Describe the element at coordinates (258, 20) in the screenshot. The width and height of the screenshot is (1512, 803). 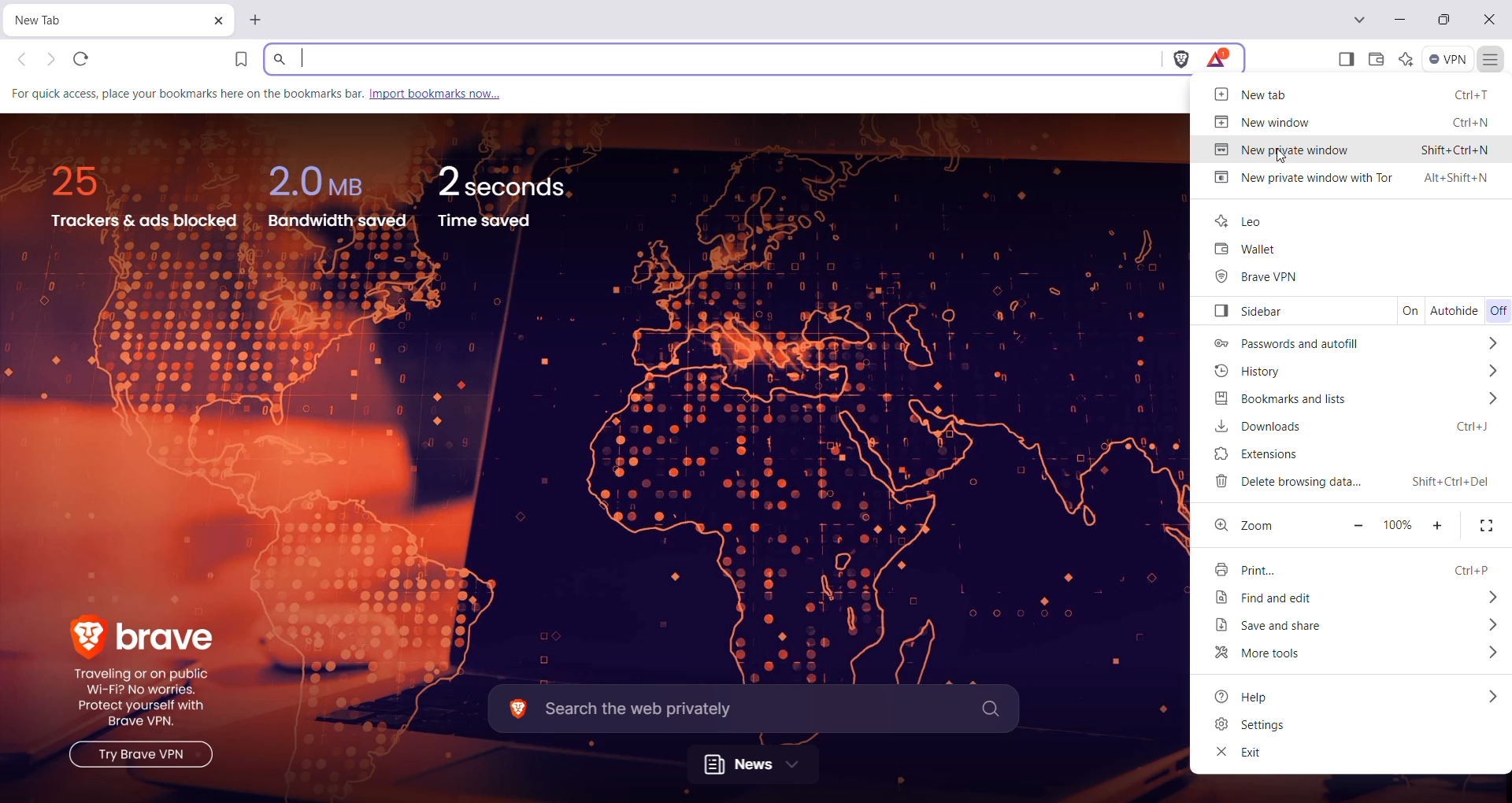
I see `New Tab` at that location.